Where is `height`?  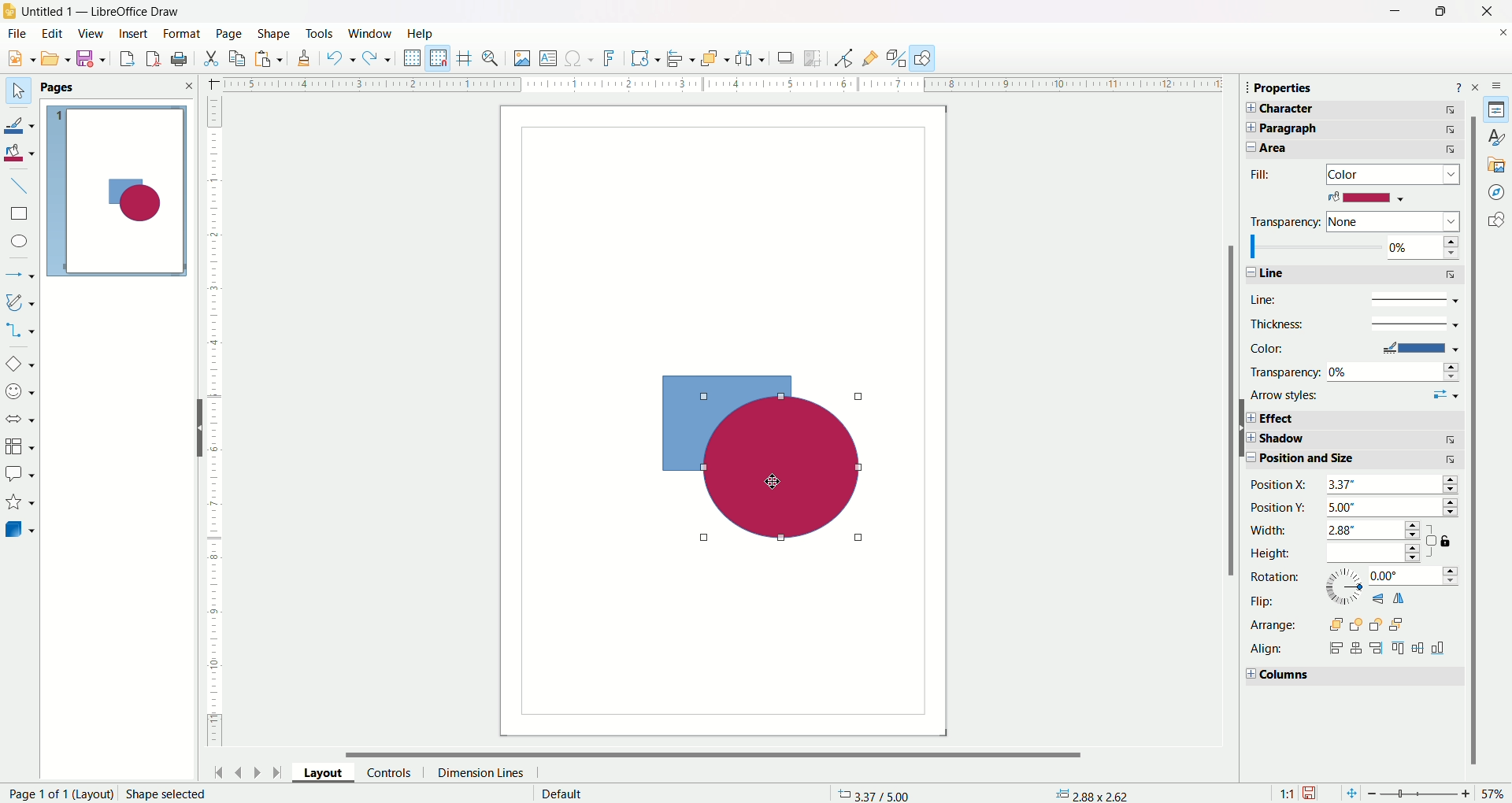 height is located at coordinates (1340, 554).